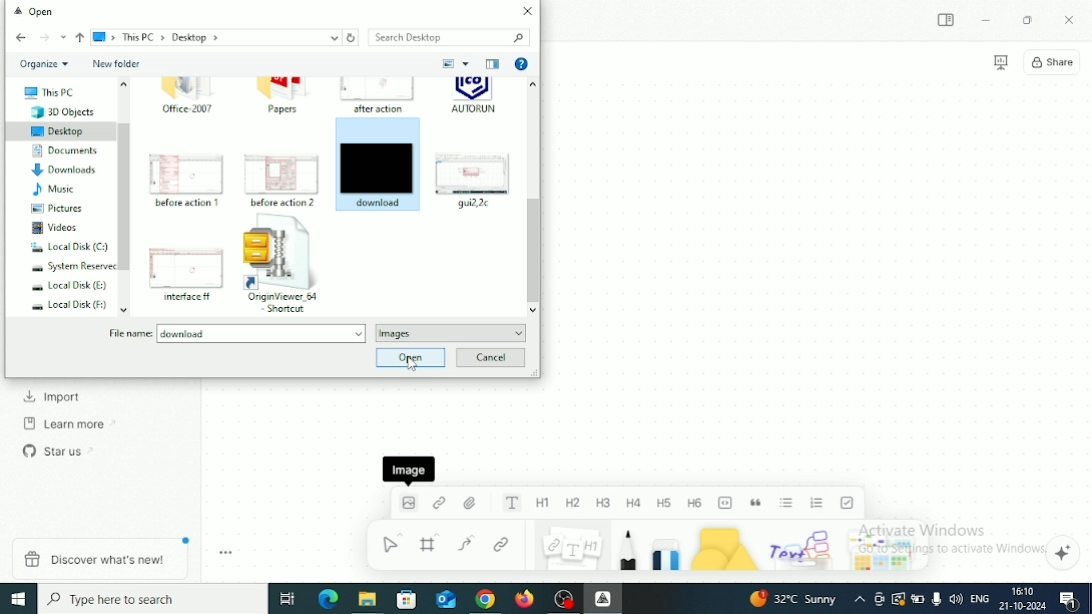 This screenshot has width=1092, height=614. What do you see at coordinates (573, 504) in the screenshot?
I see `Heading 2` at bounding box center [573, 504].